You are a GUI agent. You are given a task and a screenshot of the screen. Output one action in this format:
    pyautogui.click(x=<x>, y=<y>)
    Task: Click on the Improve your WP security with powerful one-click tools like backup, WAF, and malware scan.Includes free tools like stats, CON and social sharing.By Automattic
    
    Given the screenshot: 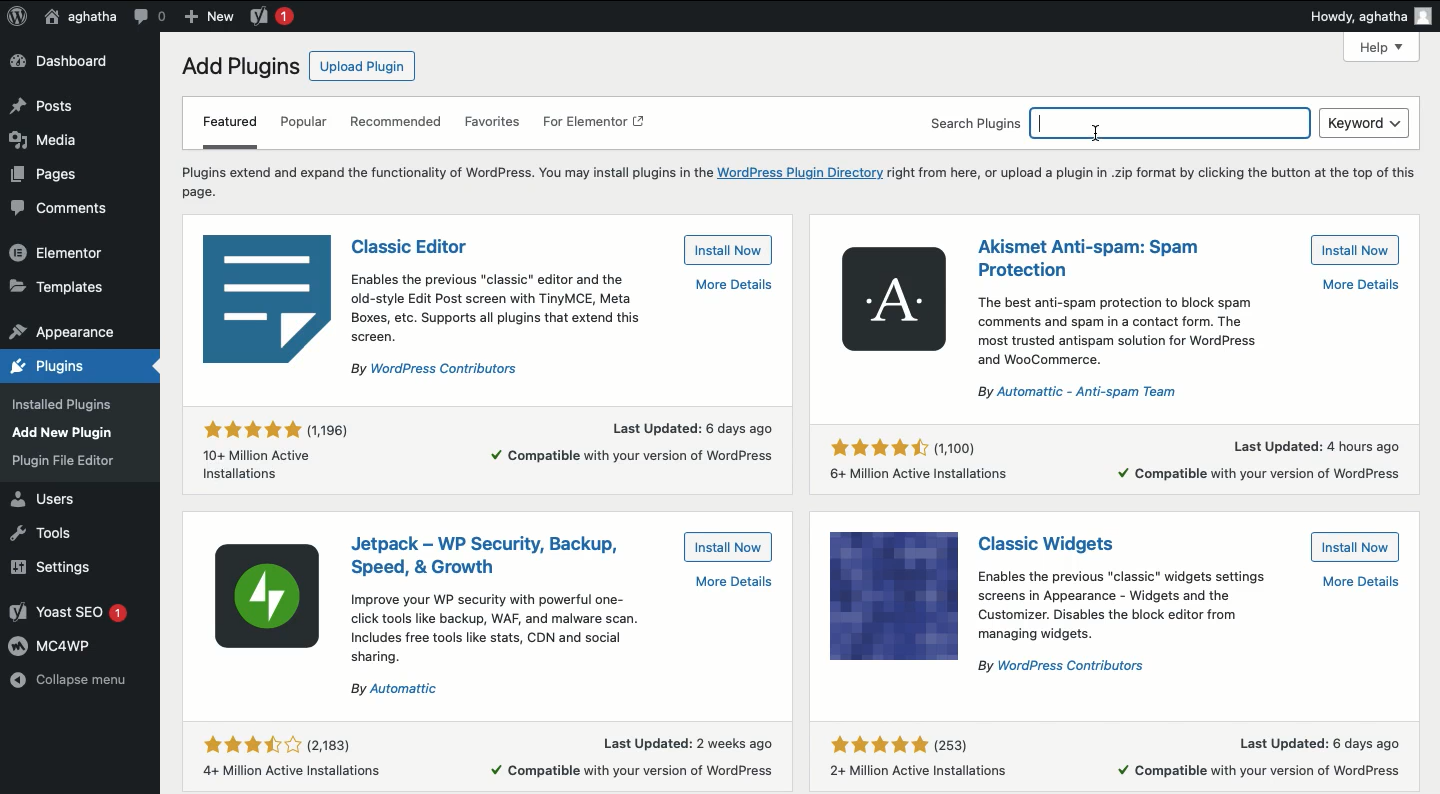 What is the action you would take?
    pyautogui.click(x=560, y=637)
    